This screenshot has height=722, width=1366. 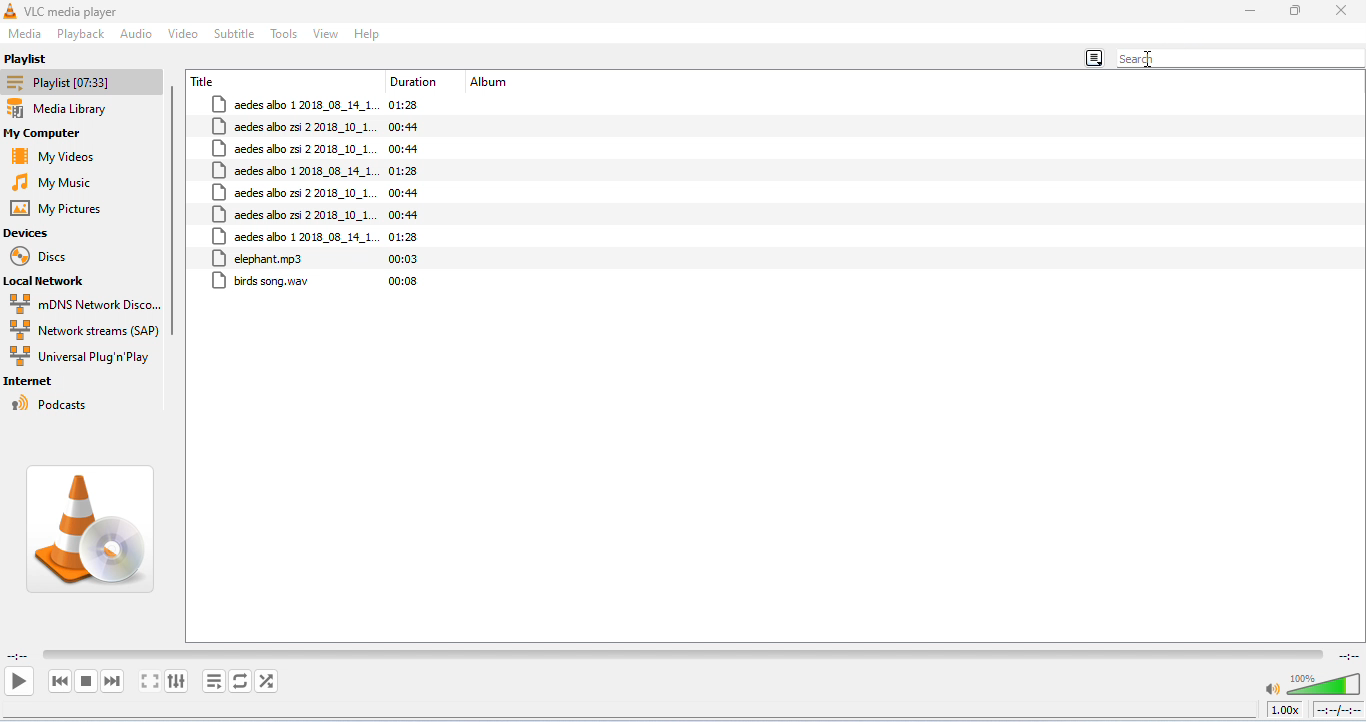 I want to click on 00:08, so click(x=403, y=281).